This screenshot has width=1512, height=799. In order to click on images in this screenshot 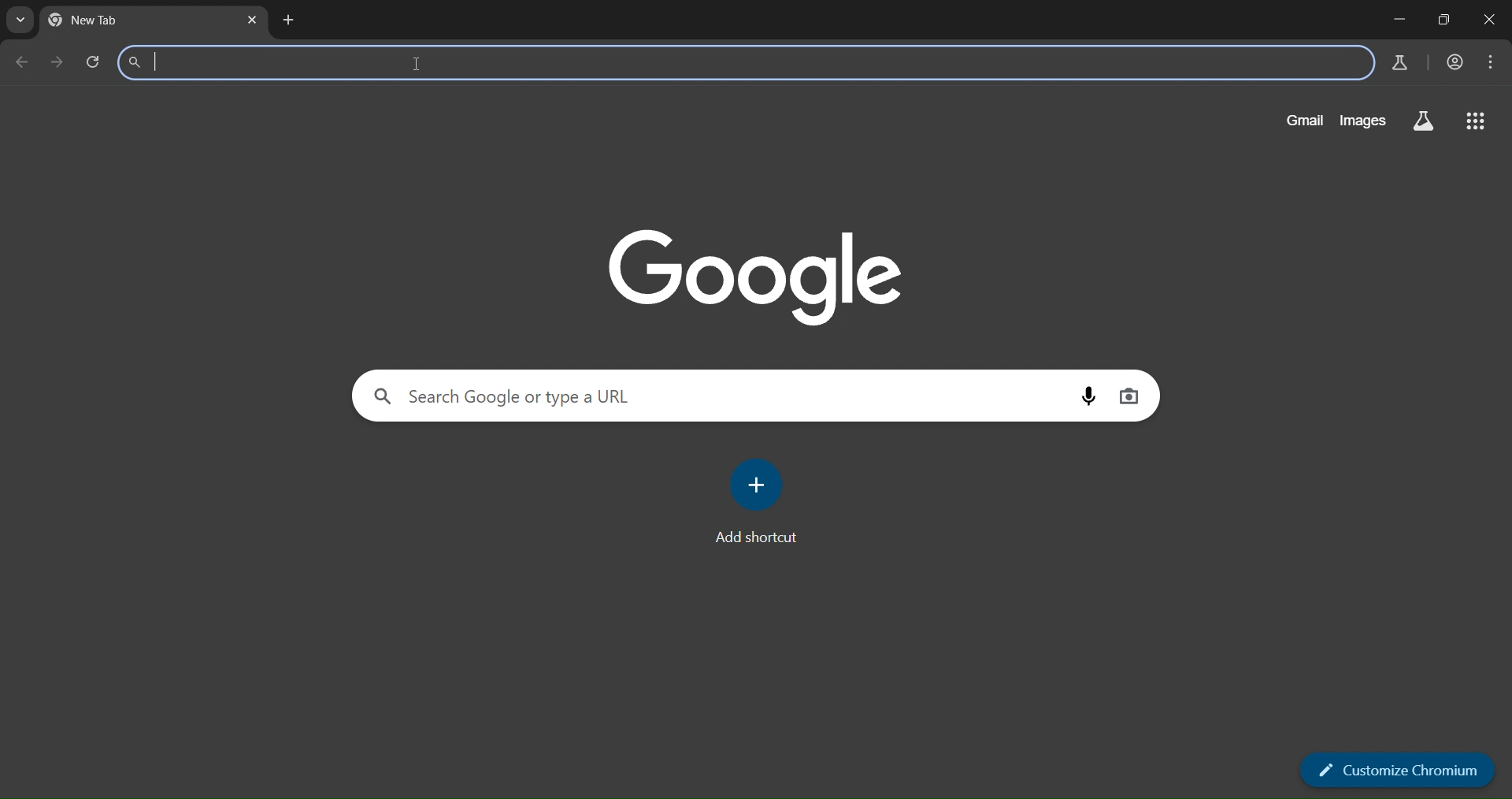, I will do `click(1362, 121)`.